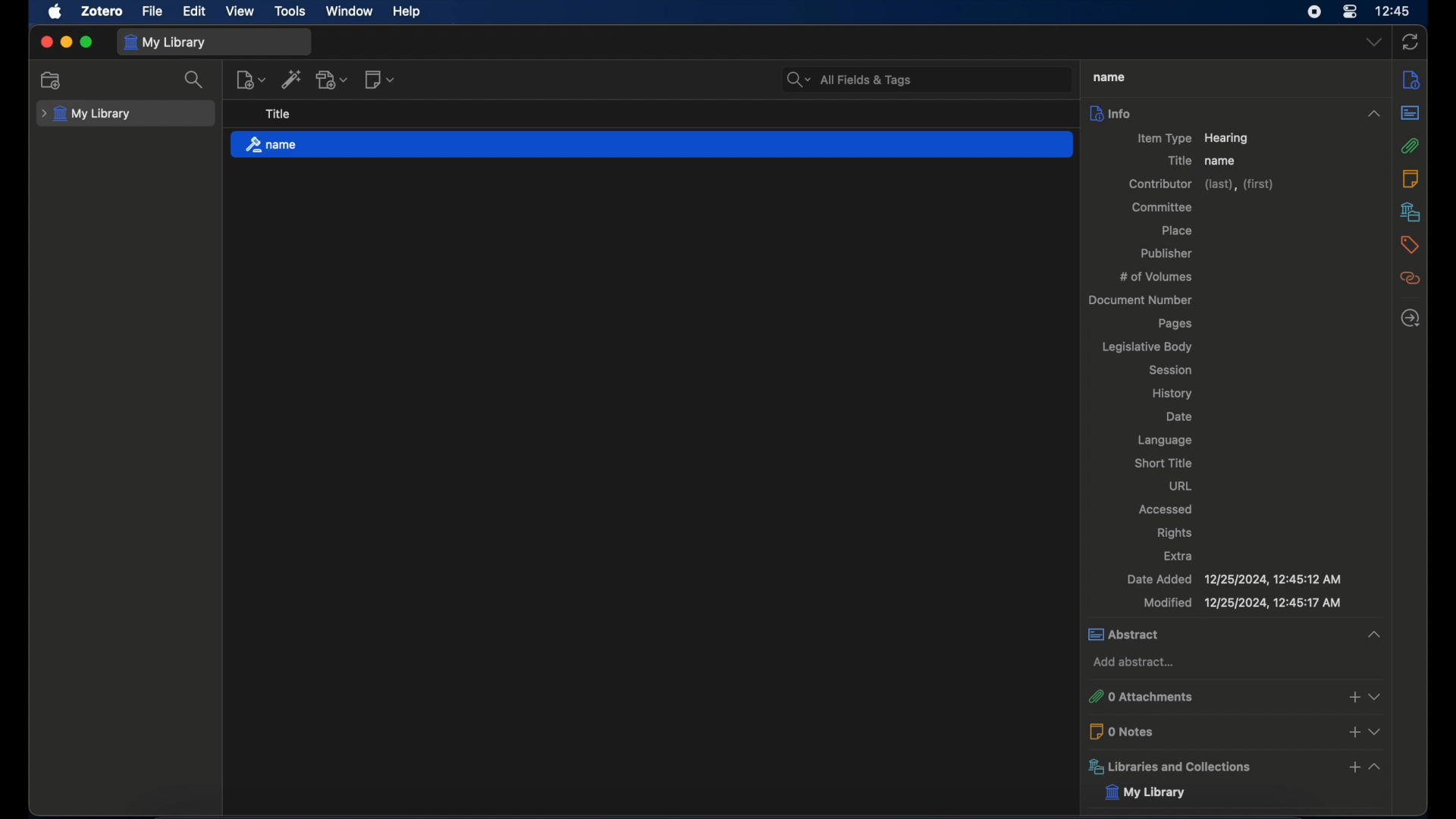 This screenshot has width=1456, height=819. Describe the element at coordinates (240, 11) in the screenshot. I see `view` at that location.